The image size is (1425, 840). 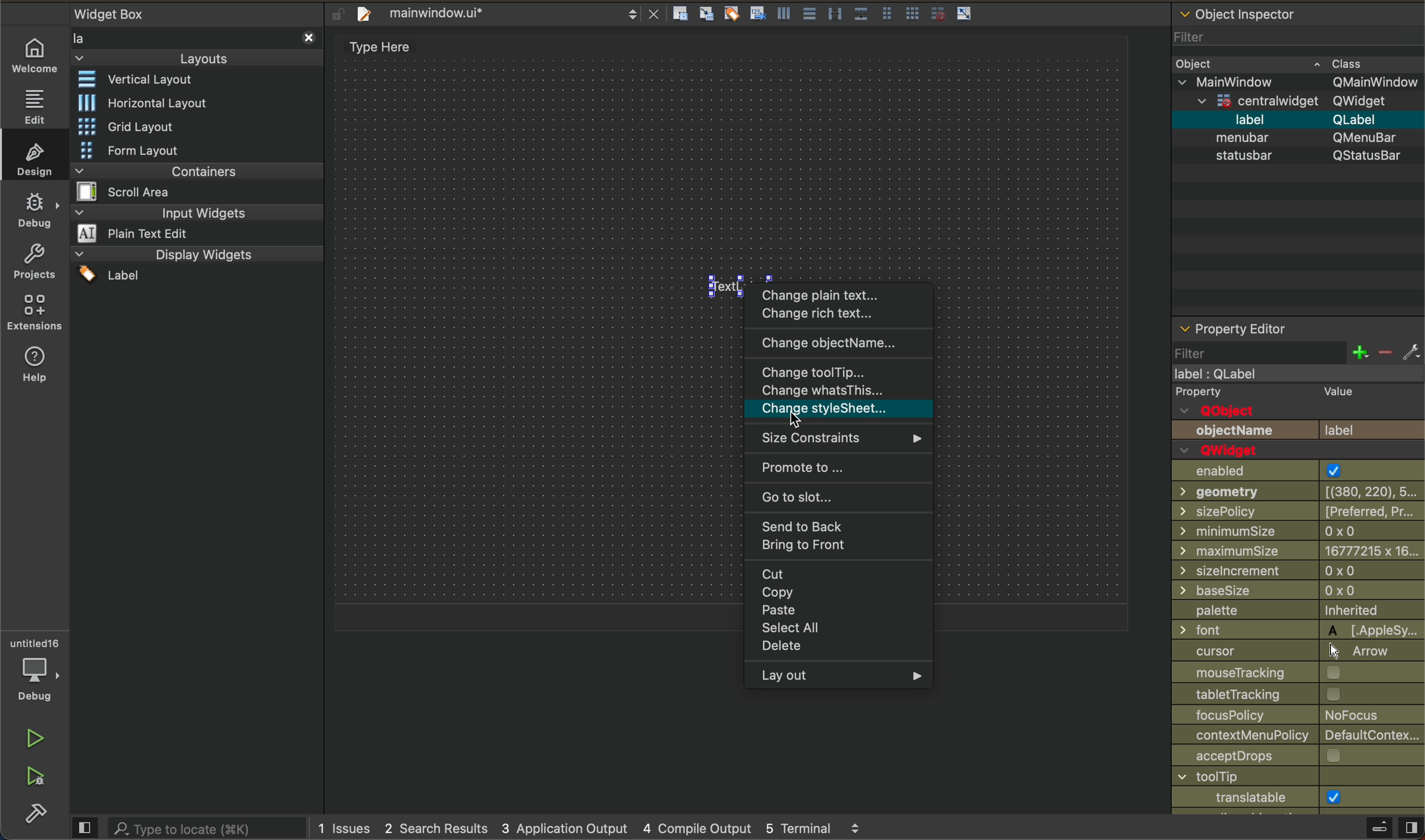 I want to click on property editor, so click(x=1241, y=325).